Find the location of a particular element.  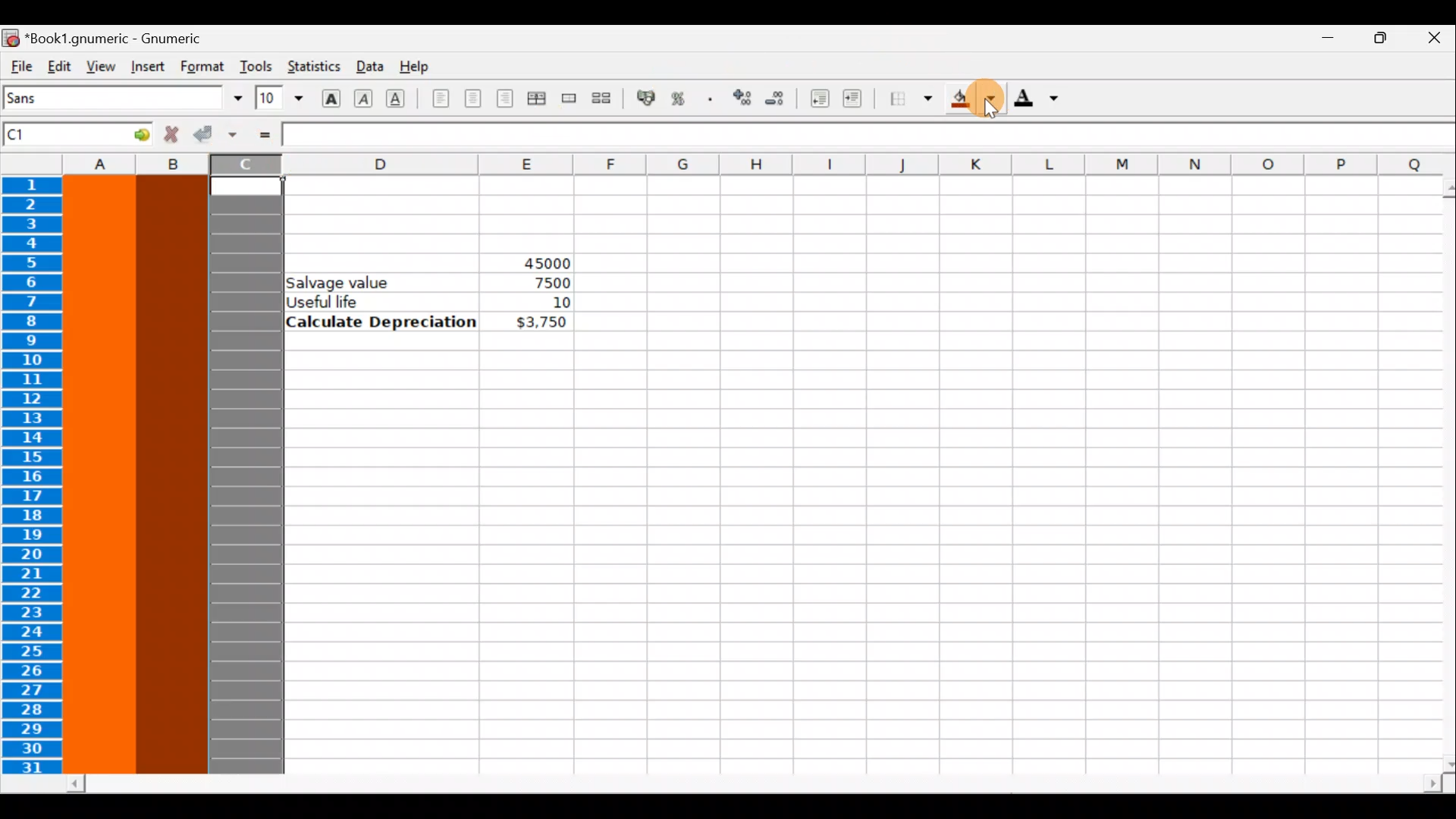

Align right is located at coordinates (504, 99).